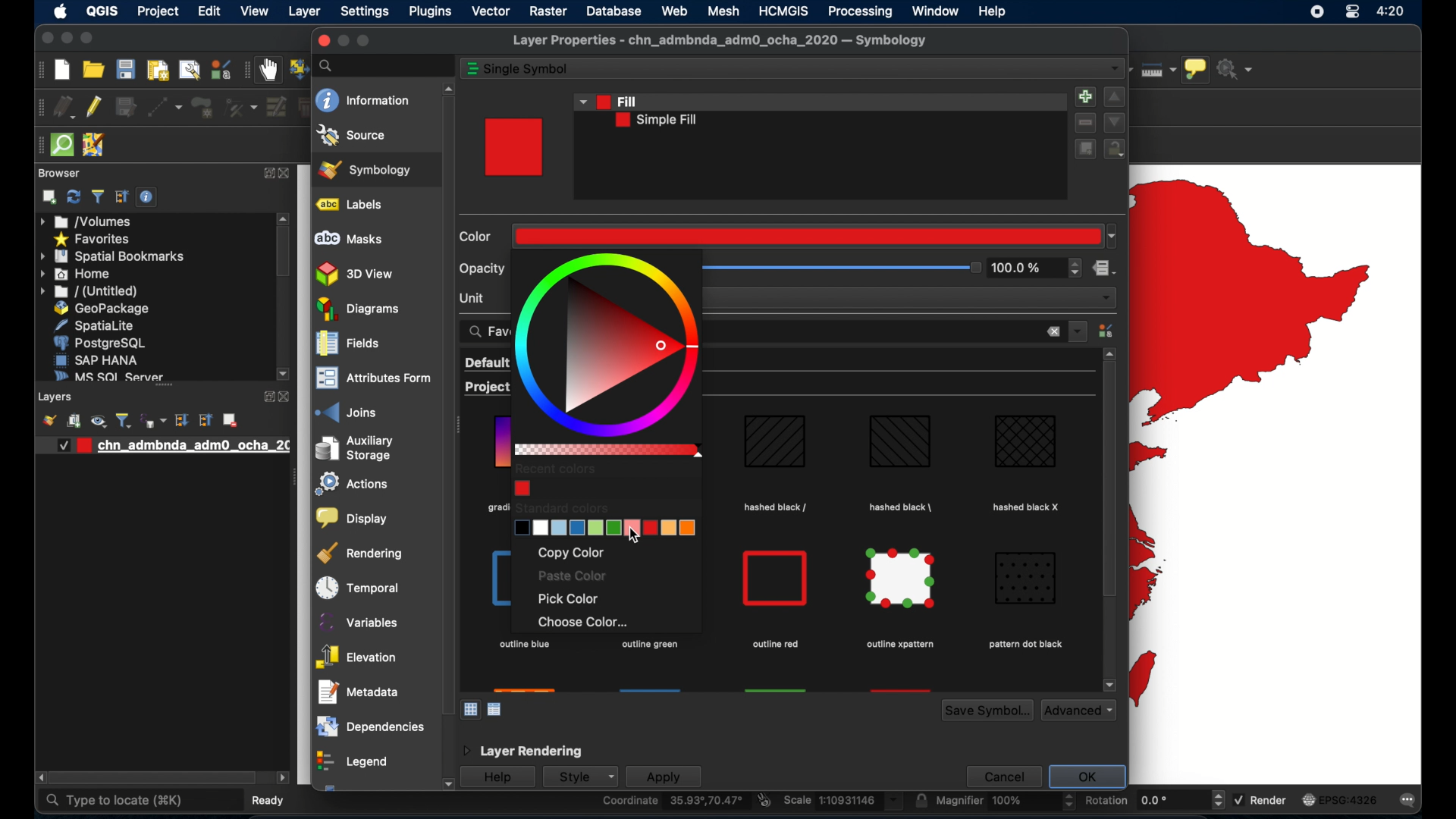 This screenshot has height=819, width=1456. Describe the element at coordinates (921, 801) in the screenshot. I see `lock scale` at that location.